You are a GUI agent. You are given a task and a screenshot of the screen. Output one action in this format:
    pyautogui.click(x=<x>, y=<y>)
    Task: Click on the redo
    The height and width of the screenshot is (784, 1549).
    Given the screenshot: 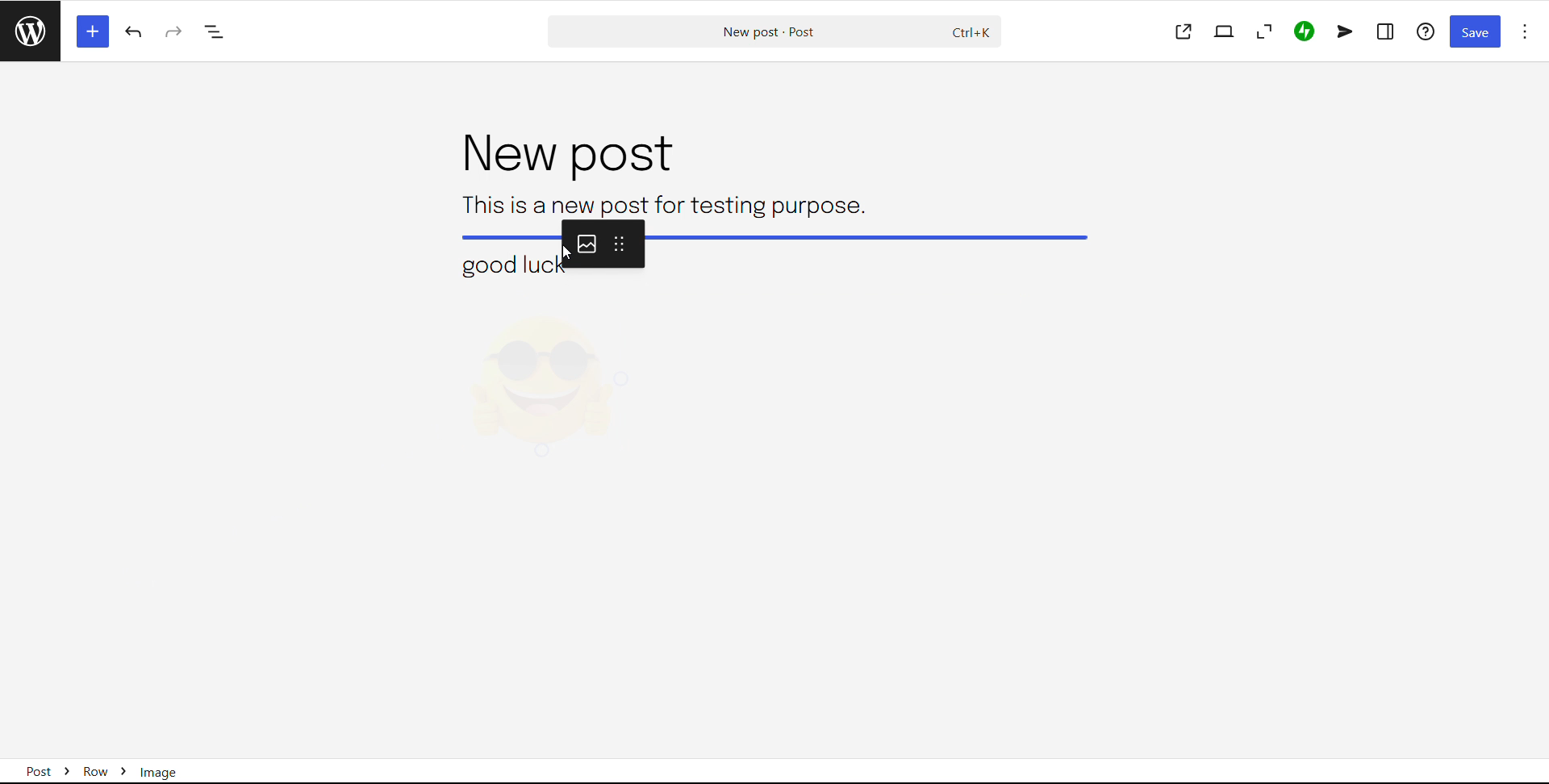 What is the action you would take?
    pyautogui.click(x=174, y=31)
    